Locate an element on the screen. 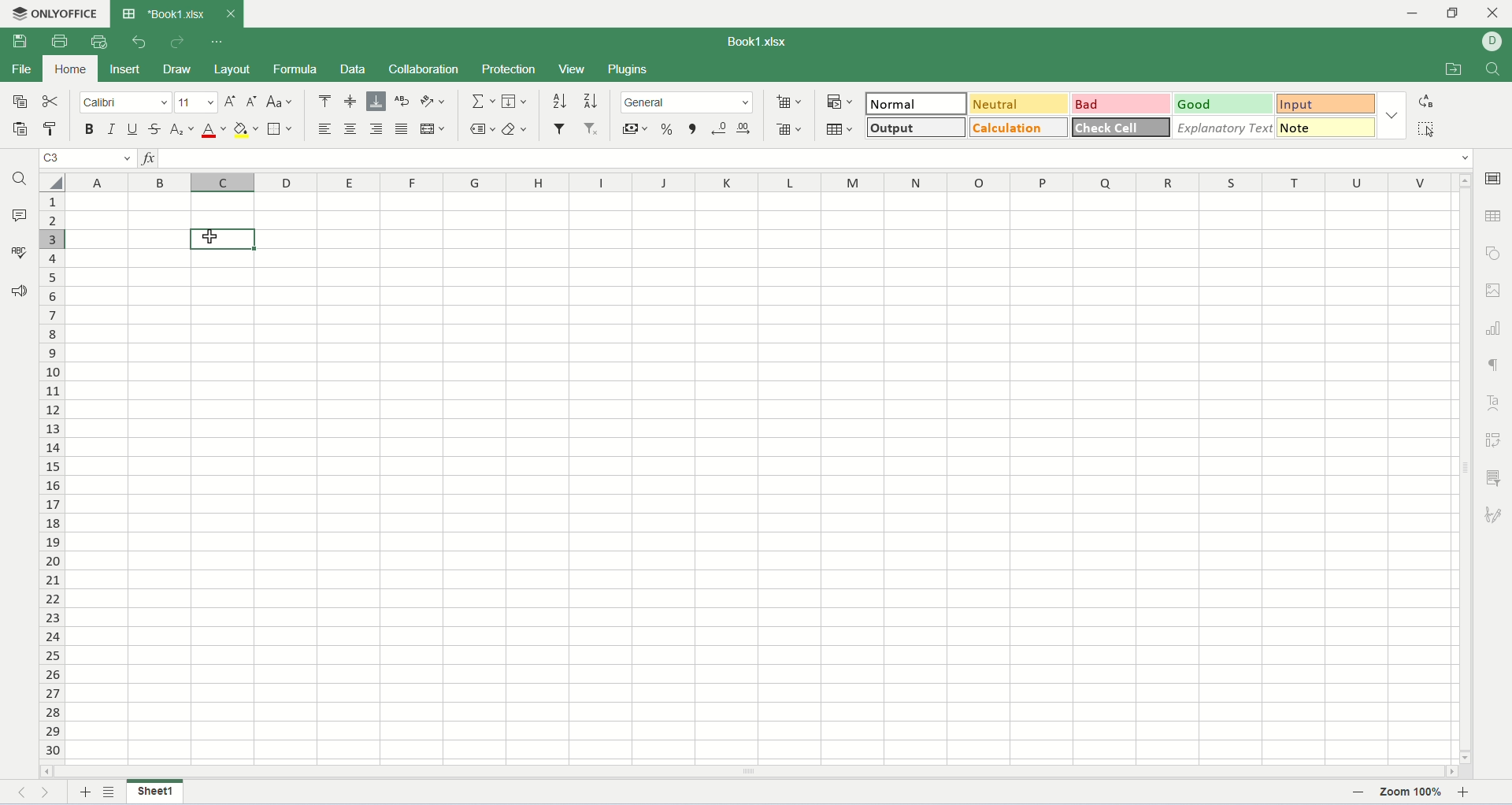 This screenshot has height=805, width=1512. select all is located at coordinates (50, 180).